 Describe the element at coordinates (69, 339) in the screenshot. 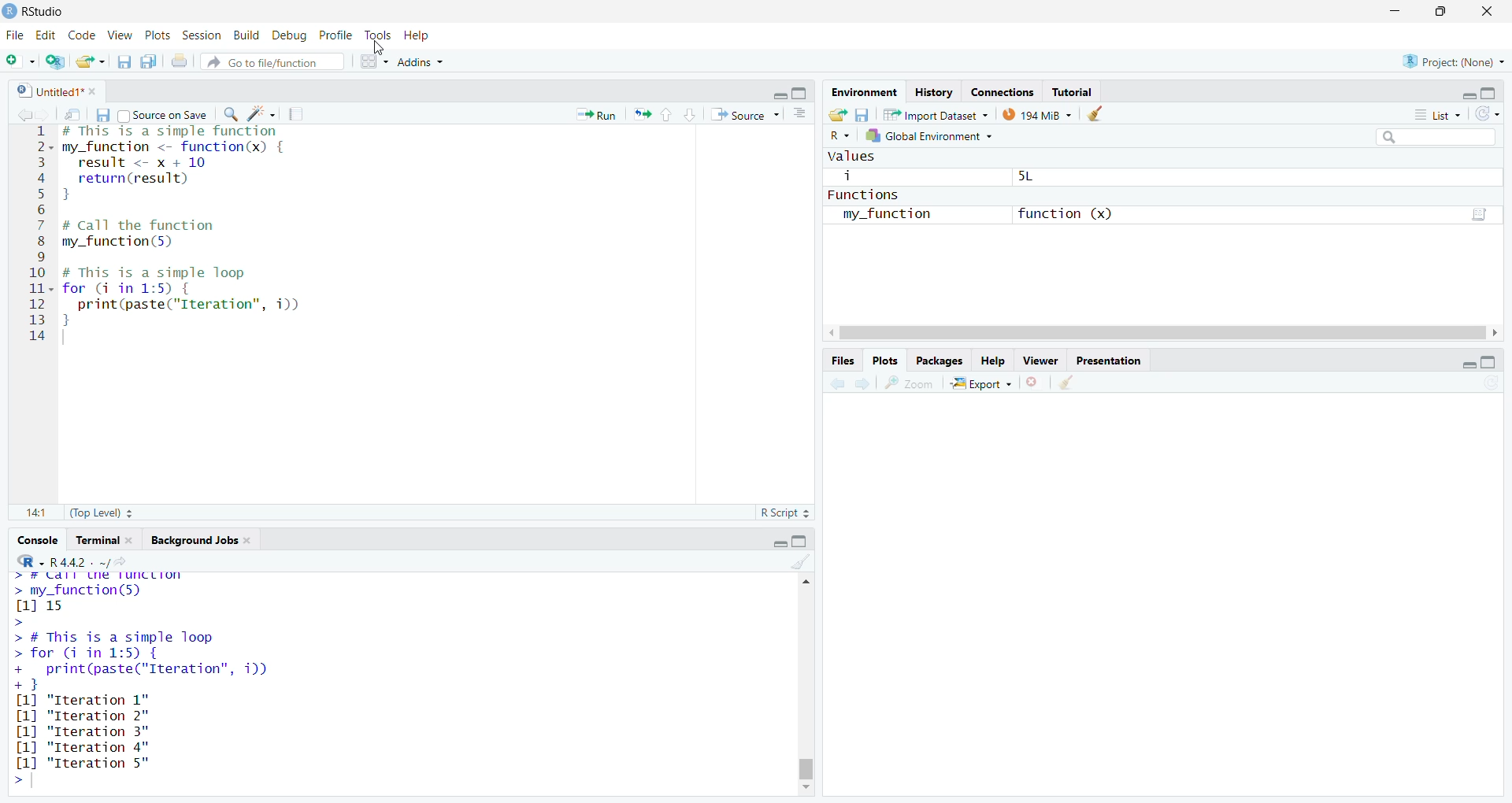

I see `typing cursor` at that location.